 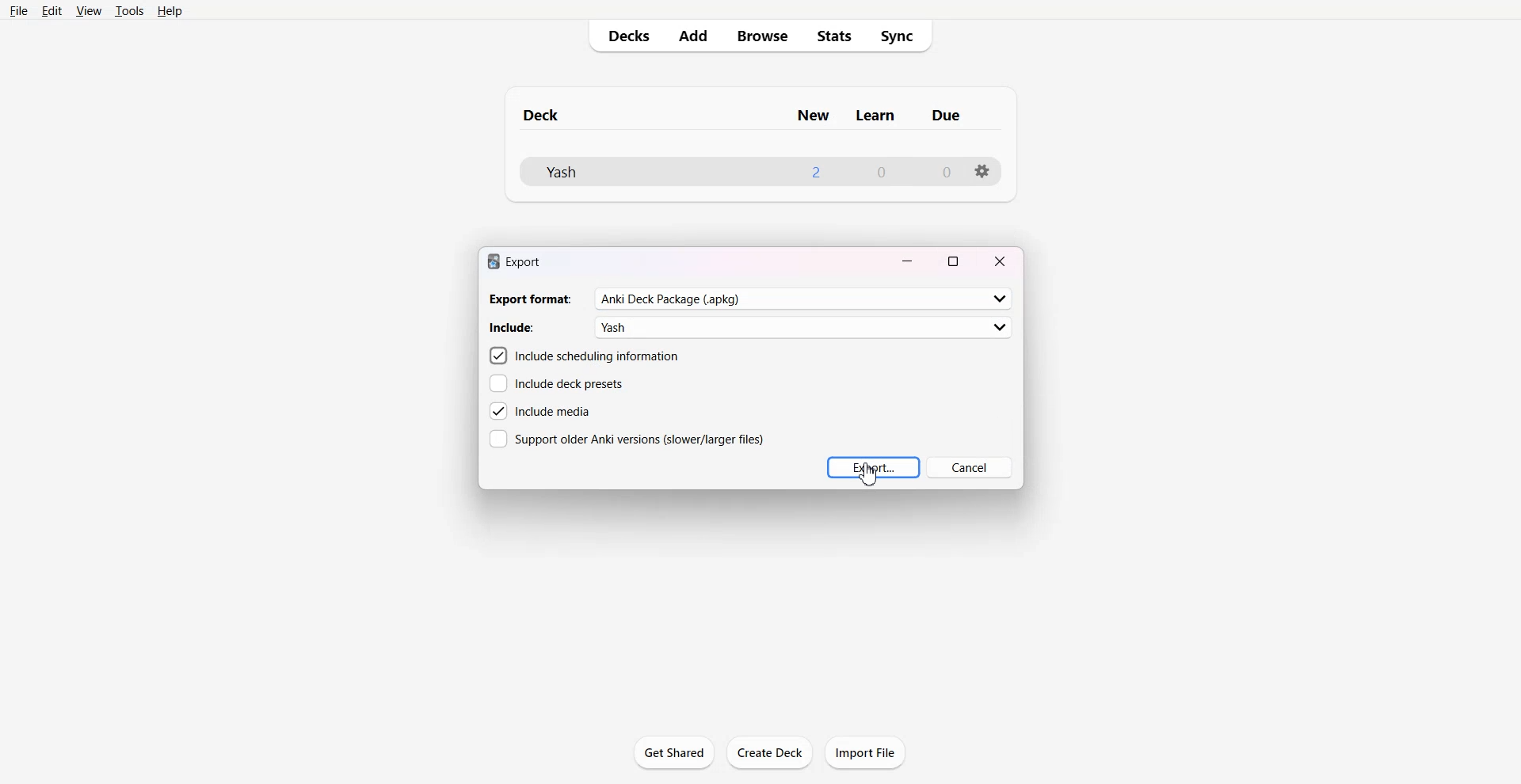 What do you see at coordinates (54, 11) in the screenshot?
I see `Edit` at bounding box center [54, 11].